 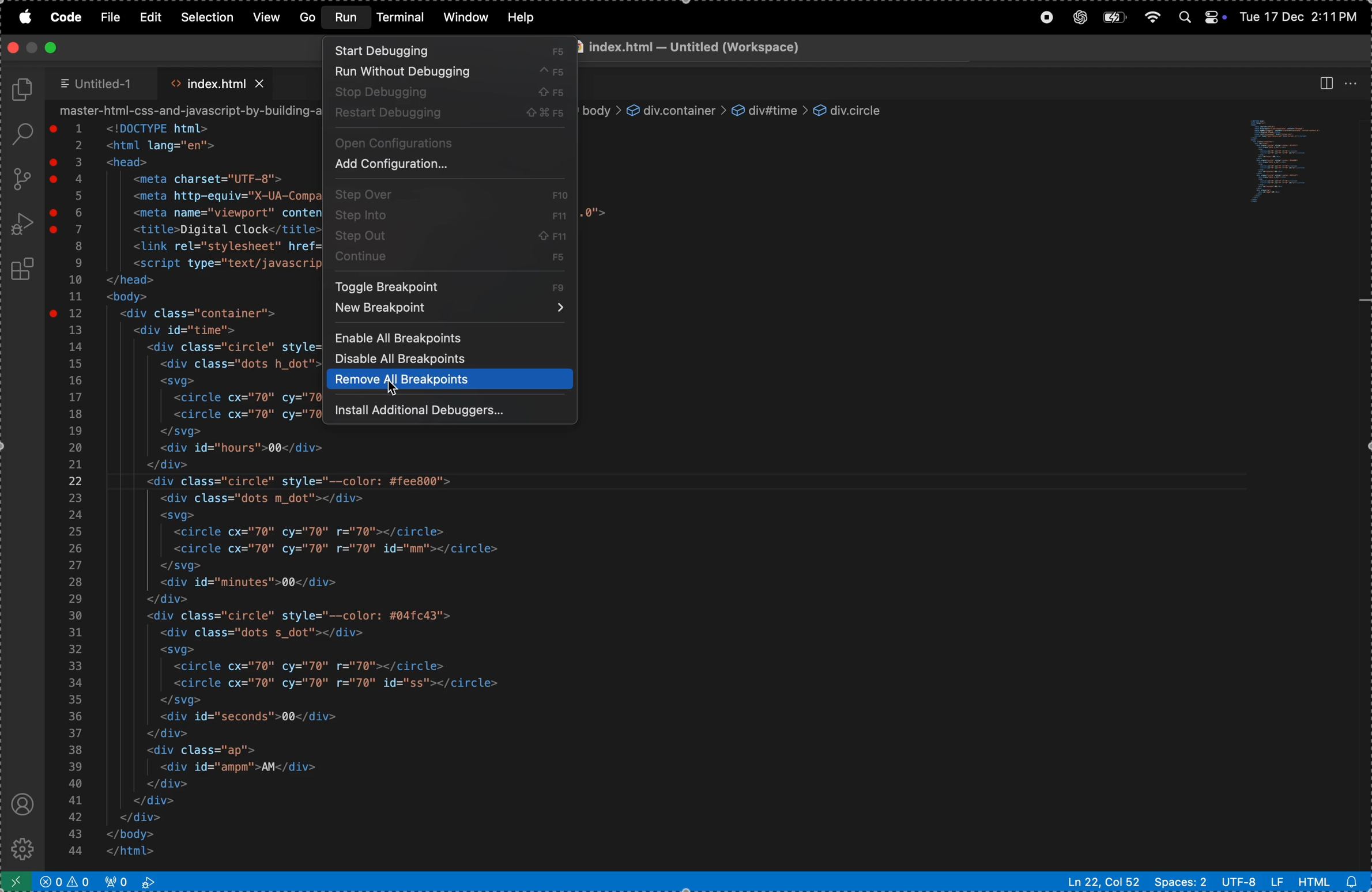 What do you see at coordinates (1295, 160) in the screenshot?
I see `code window ` at bounding box center [1295, 160].